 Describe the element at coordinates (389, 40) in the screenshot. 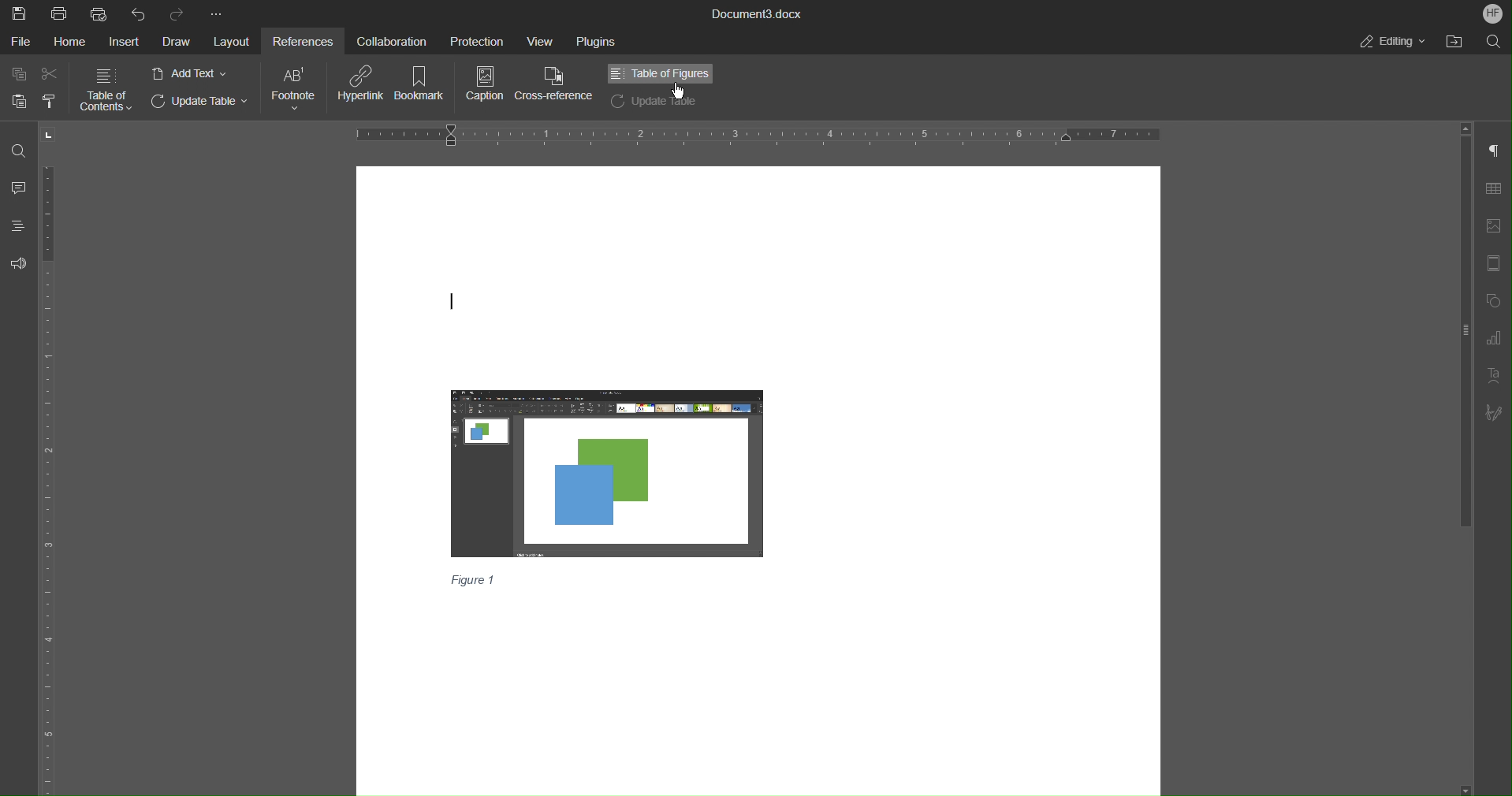

I see `Collaboration` at that location.